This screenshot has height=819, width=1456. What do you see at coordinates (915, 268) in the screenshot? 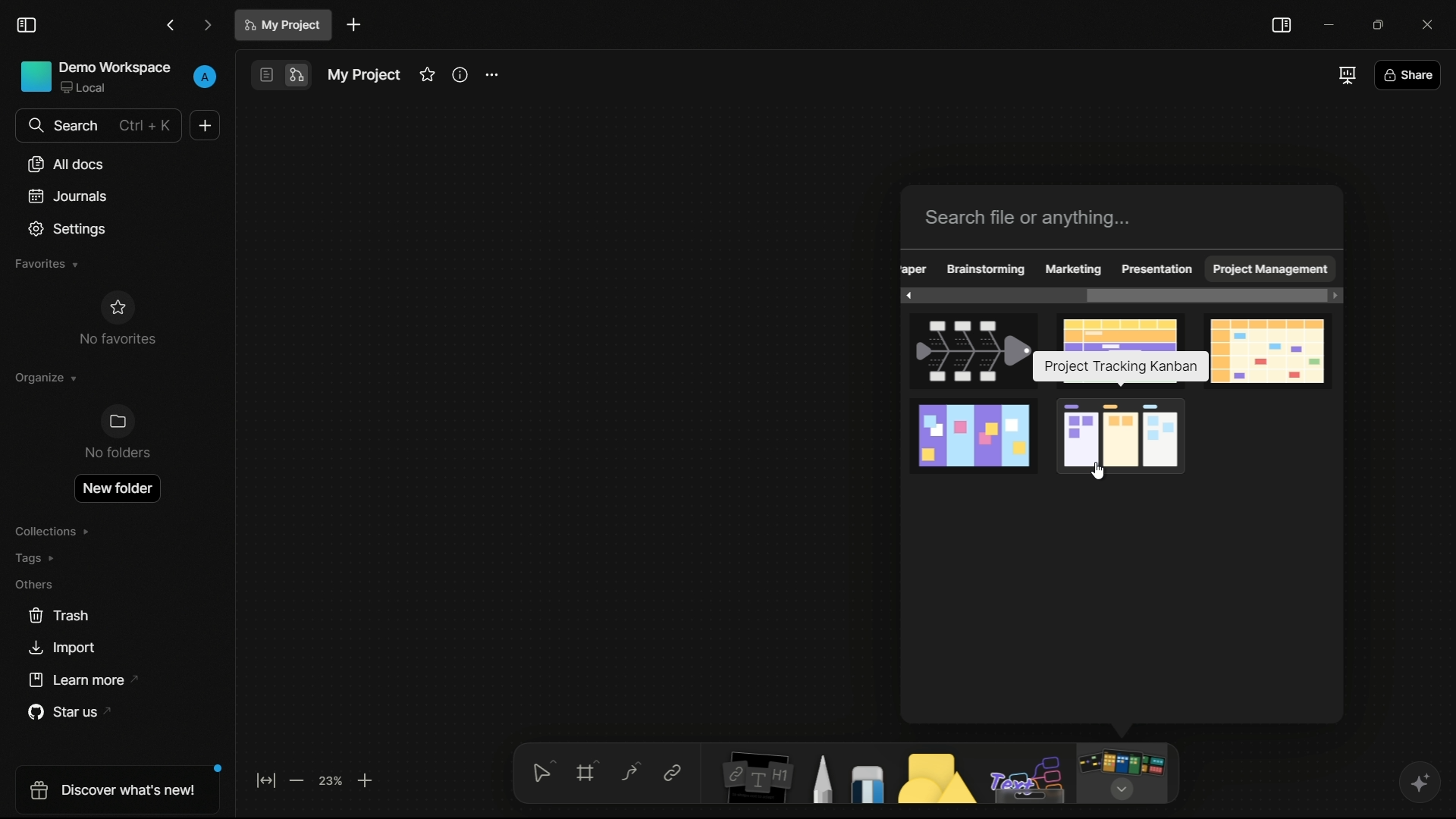
I see `obscure text` at bounding box center [915, 268].